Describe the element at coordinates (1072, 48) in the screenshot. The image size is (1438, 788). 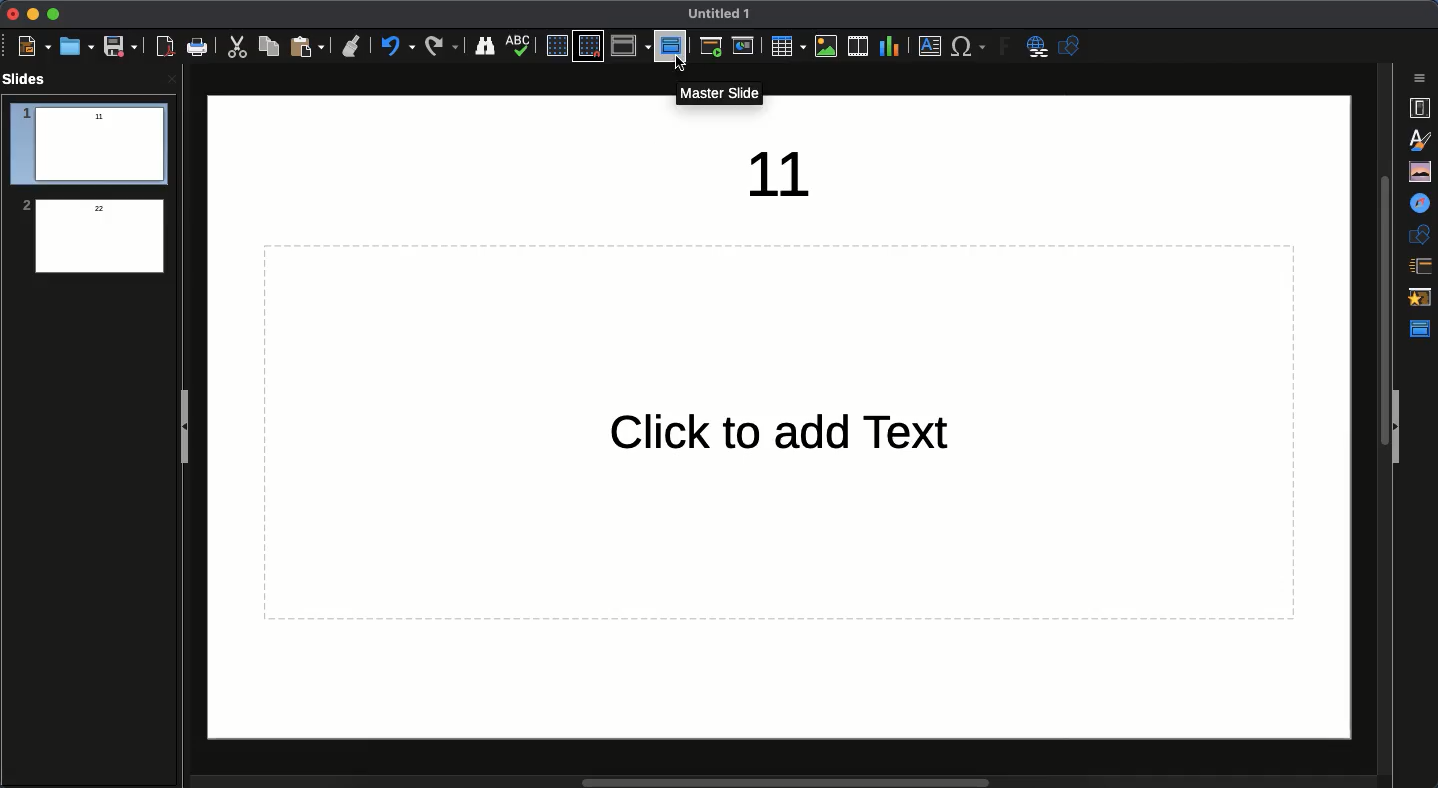
I see `Shapes` at that location.